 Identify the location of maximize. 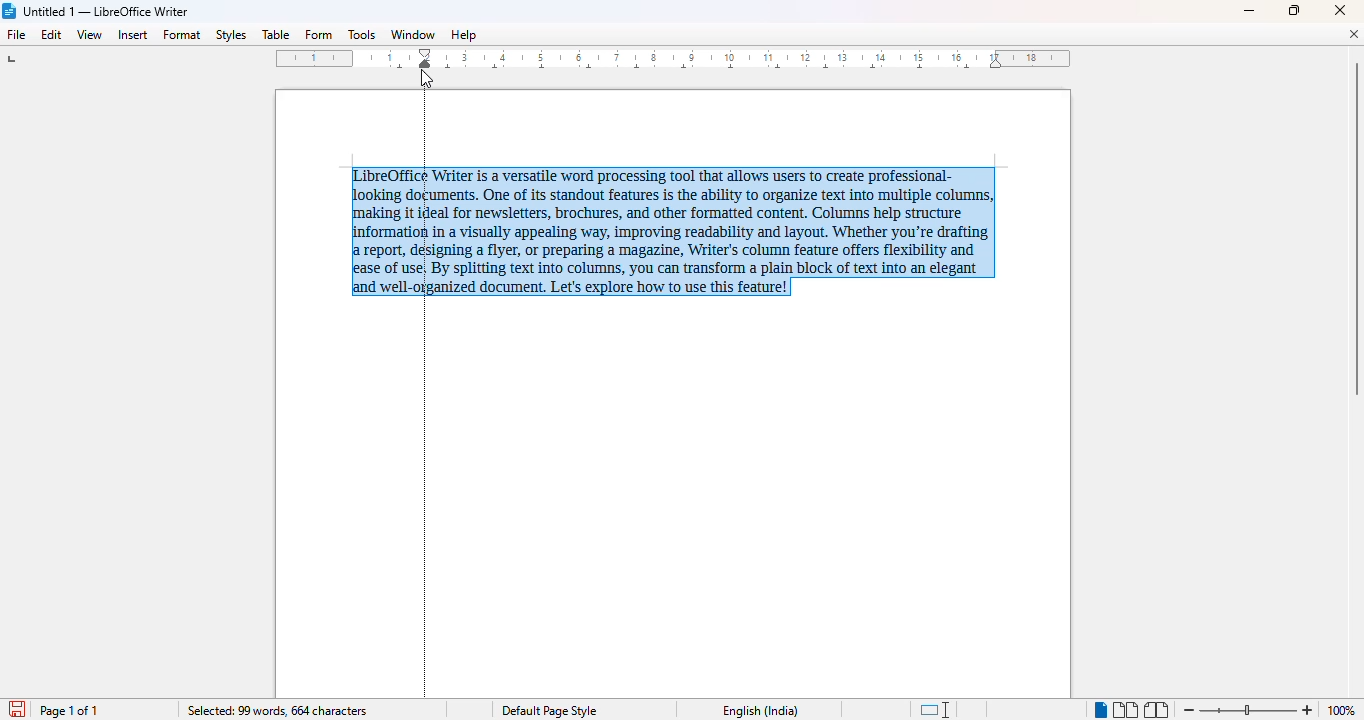
(1294, 10).